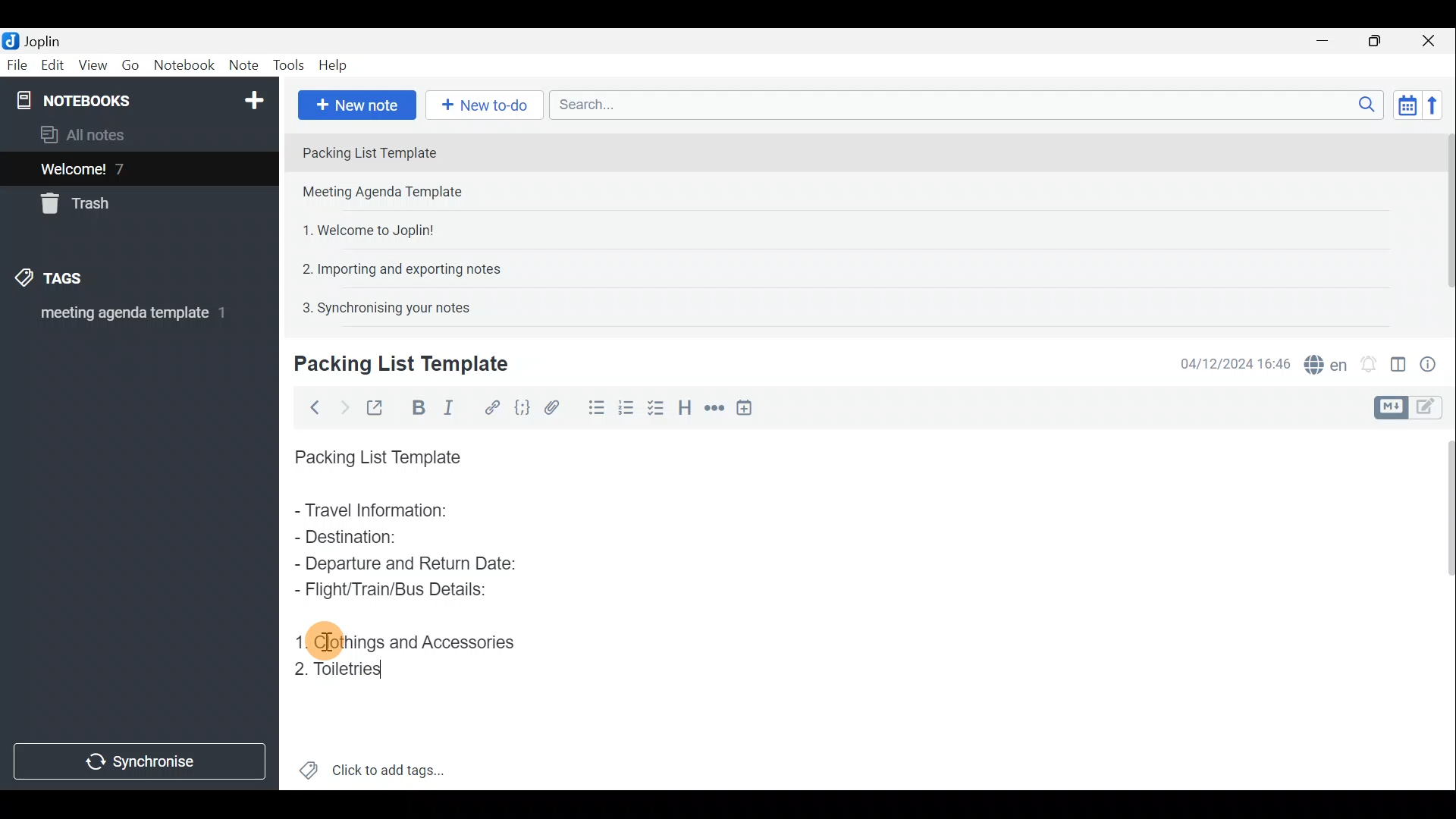 The height and width of the screenshot is (819, 1456). I want to click on Go, so click(131, 65).